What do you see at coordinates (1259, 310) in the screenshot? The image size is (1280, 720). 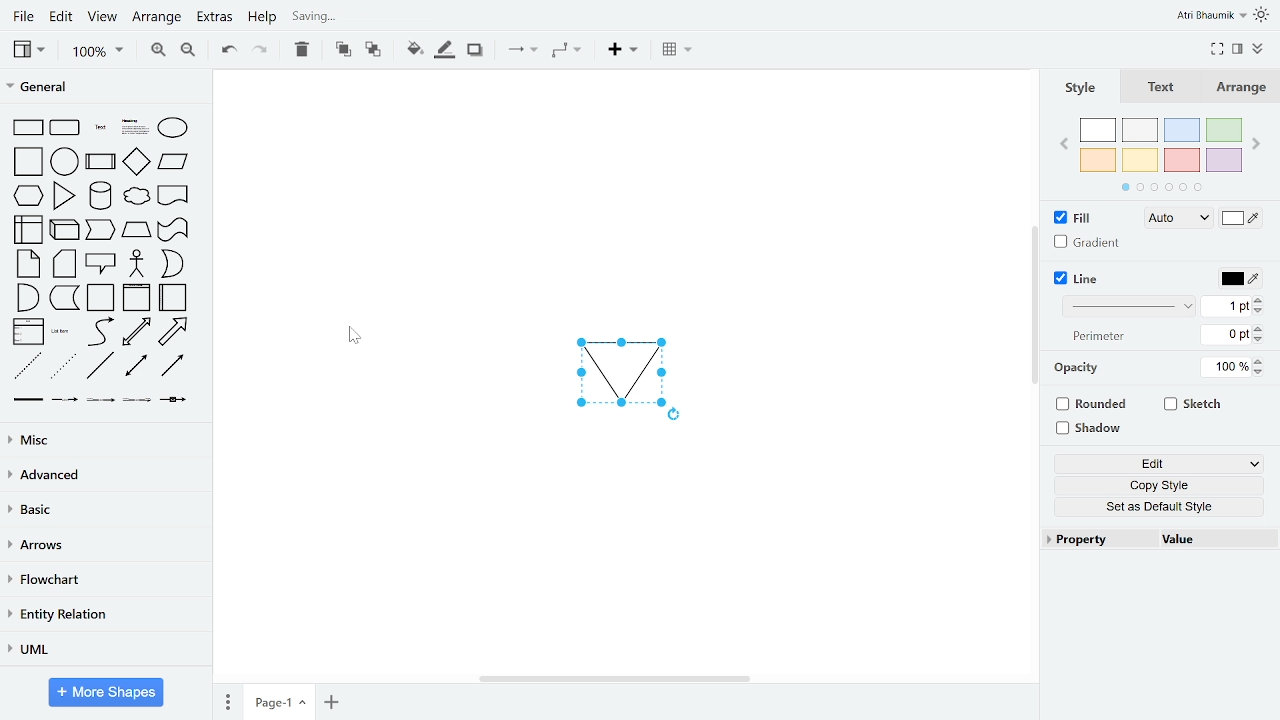 I see `decrease line width` at bounding box center [1259, 310].